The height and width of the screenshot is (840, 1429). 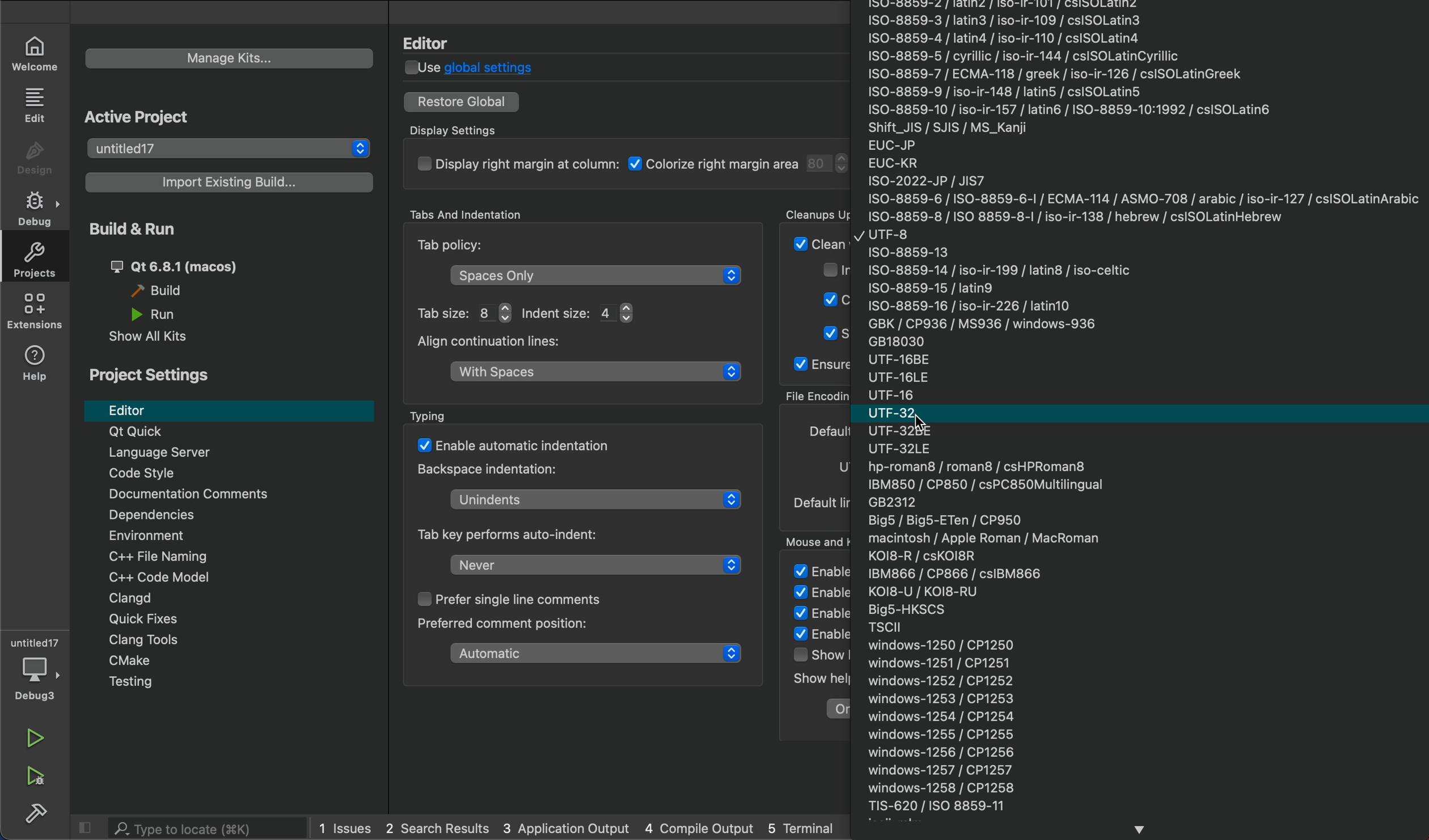 What do you see at coordinates (435, 416) in the screenshot?
I see `Typing` at bounding box center [435, 416].